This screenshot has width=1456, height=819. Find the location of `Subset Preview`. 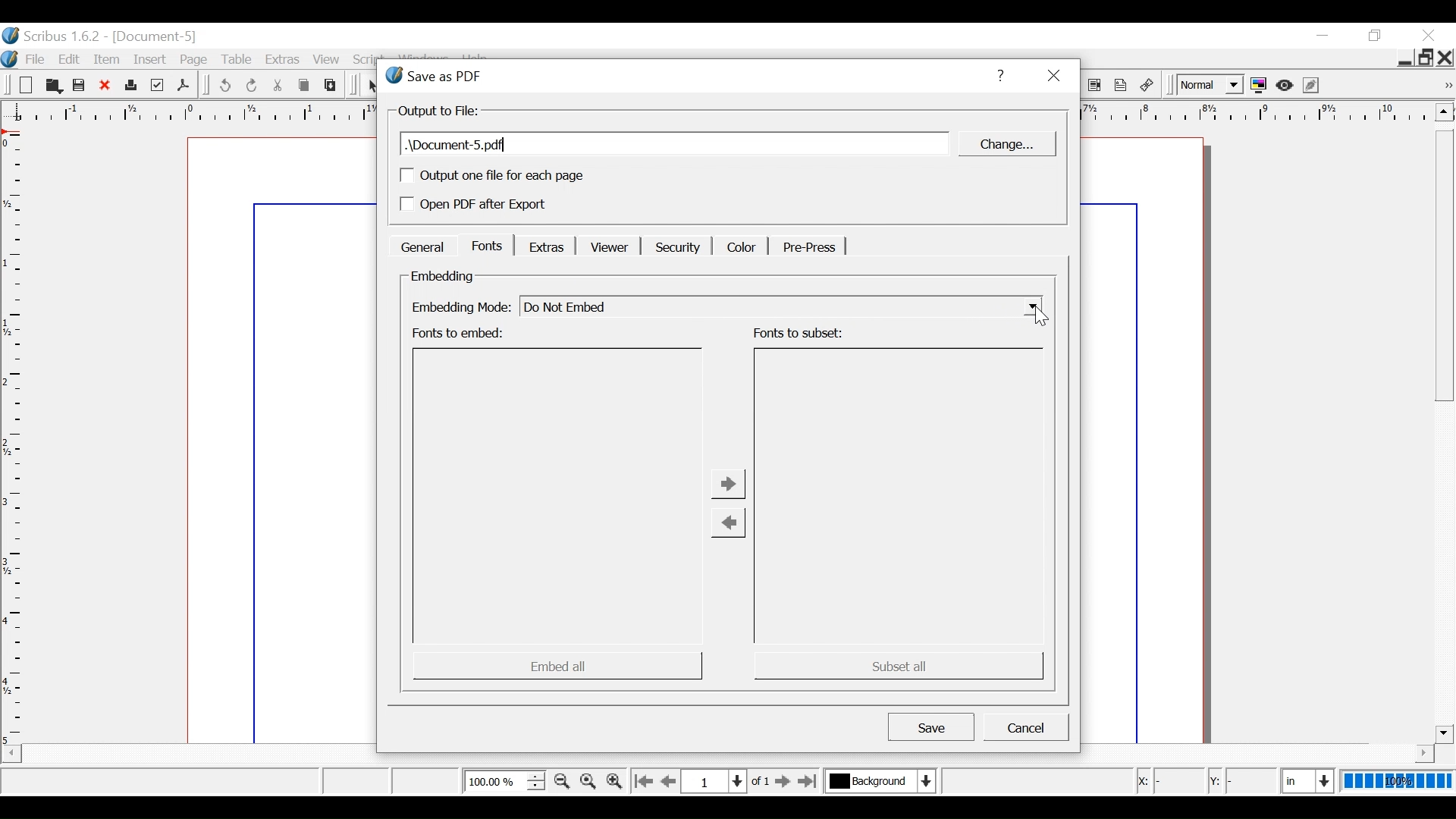

Subset Preview is located at coordinates (899, 496).